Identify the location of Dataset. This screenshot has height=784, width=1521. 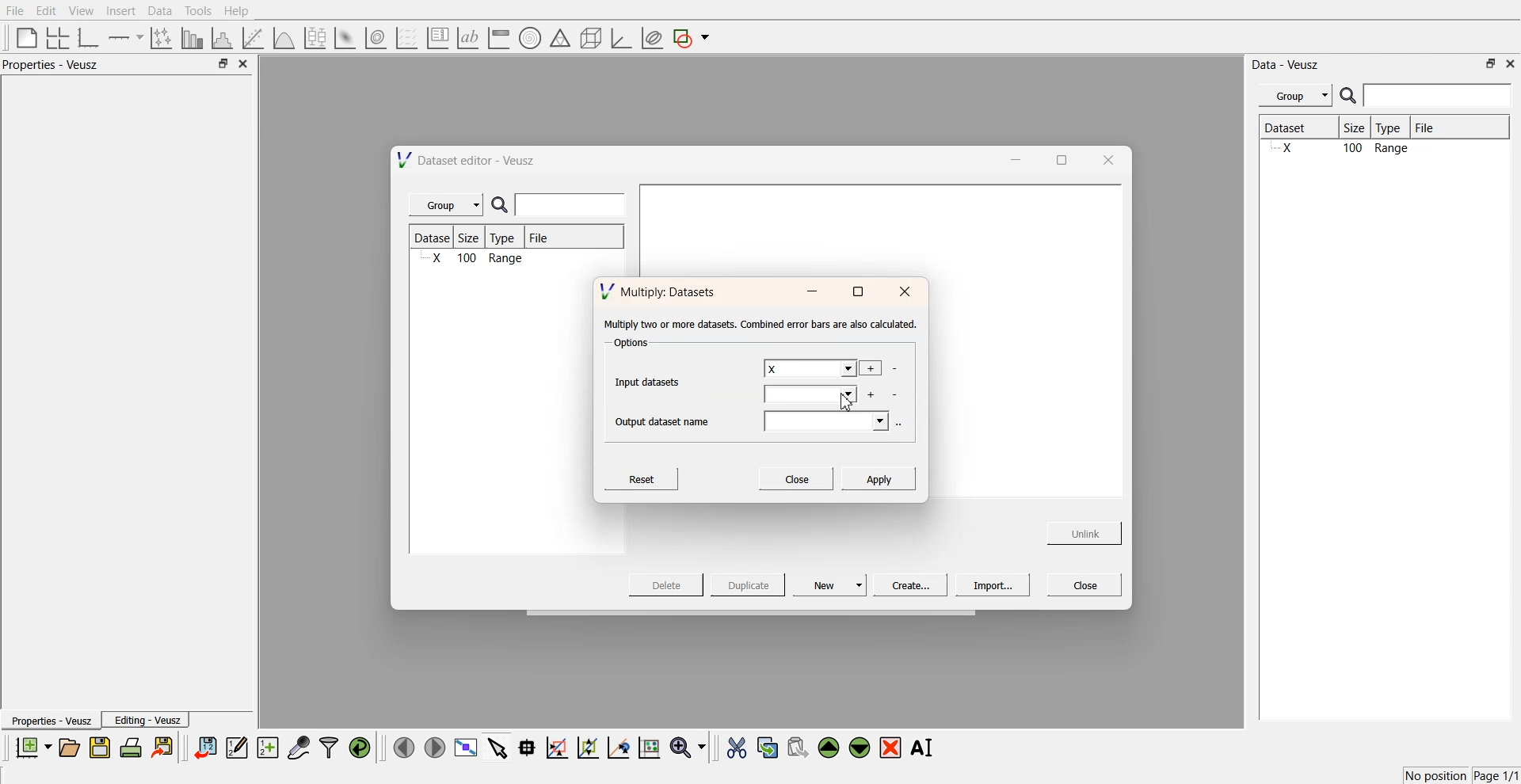
(1298, 129).